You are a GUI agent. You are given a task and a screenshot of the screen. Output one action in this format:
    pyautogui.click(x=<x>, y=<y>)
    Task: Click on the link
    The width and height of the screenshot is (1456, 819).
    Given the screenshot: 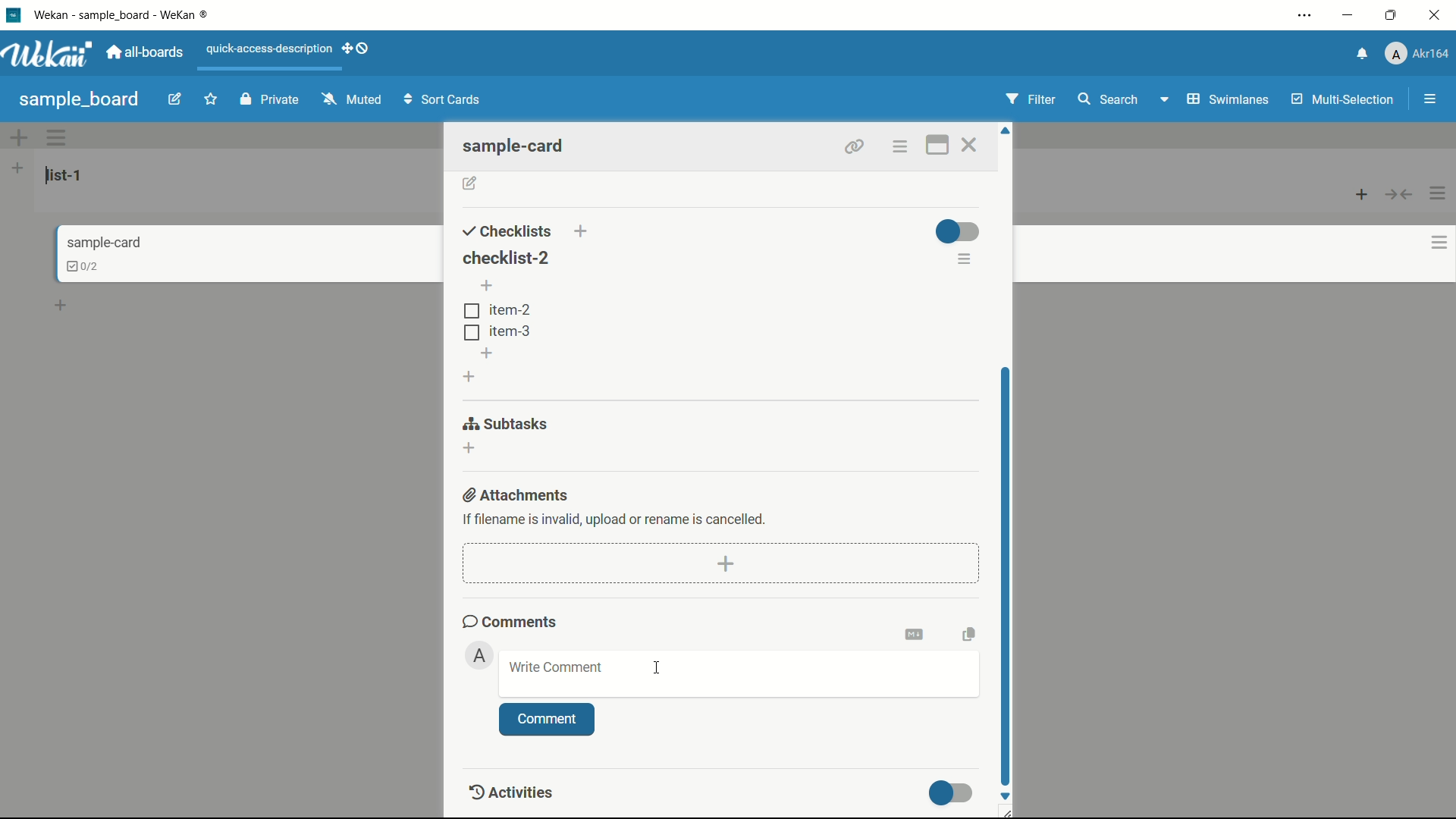 What is the action you would take?
    pyautogui.click(x=851, y=144)
    